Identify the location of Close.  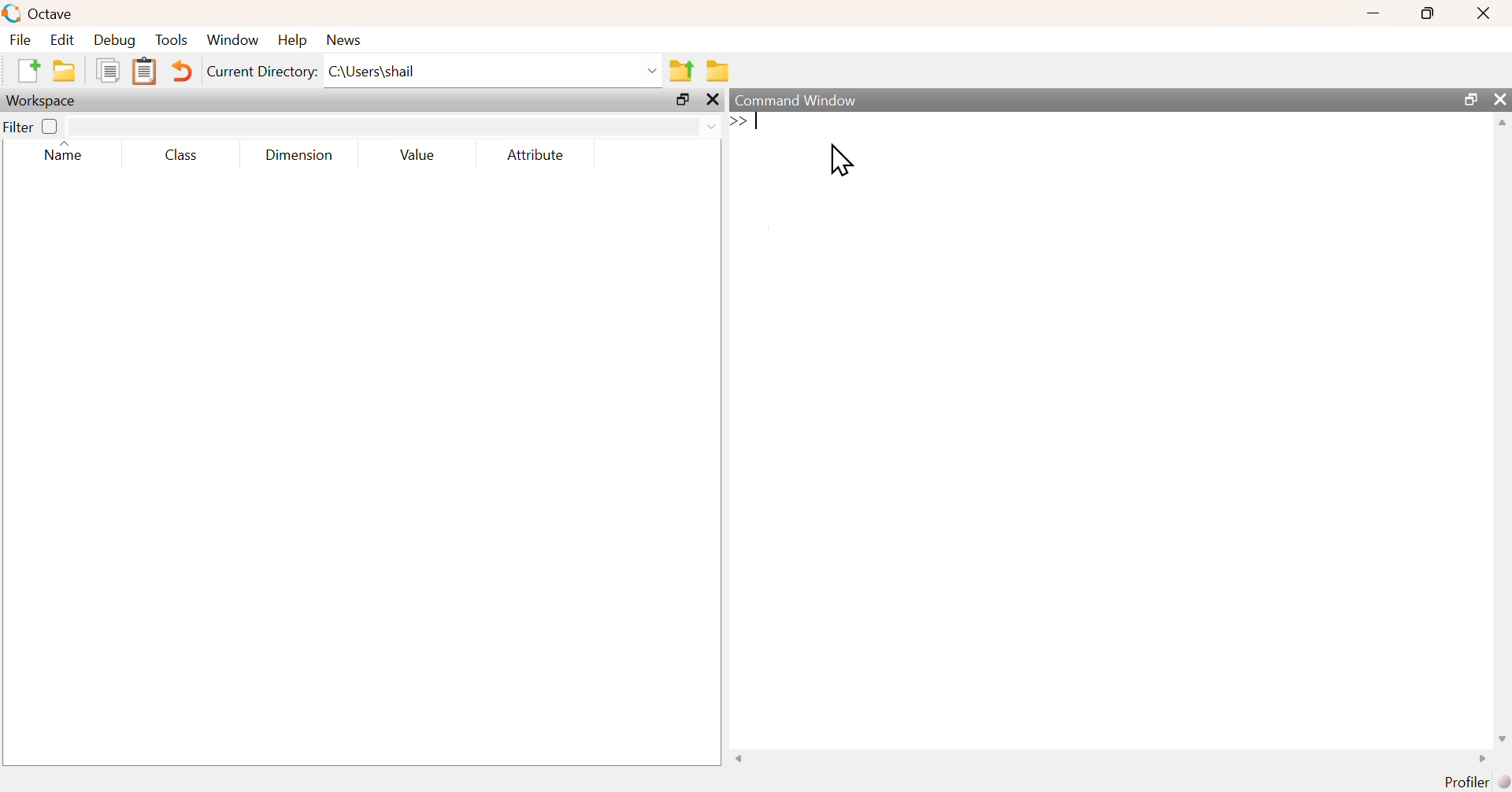
(1500, 99).